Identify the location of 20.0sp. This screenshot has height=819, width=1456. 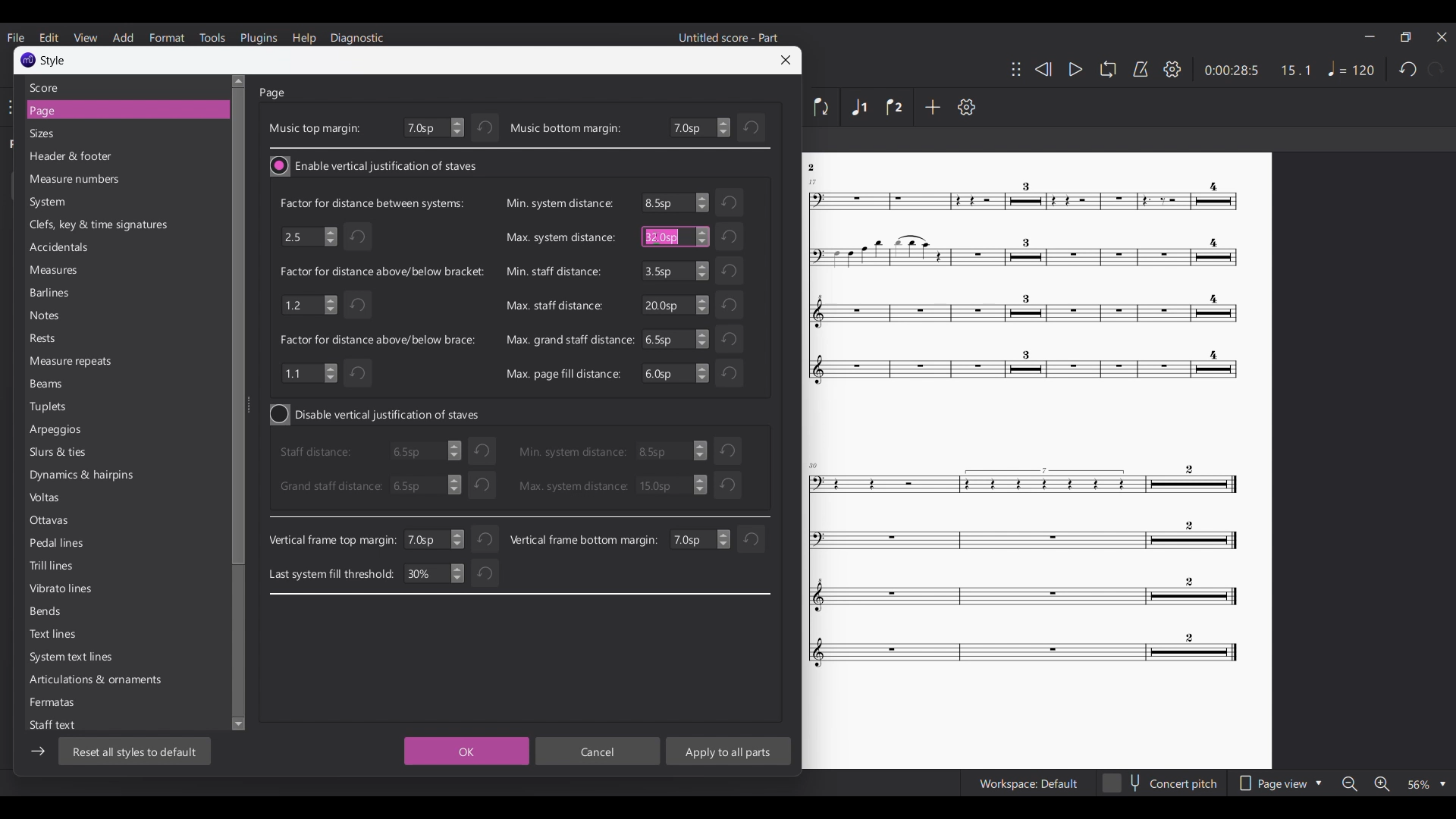
(674, 305).